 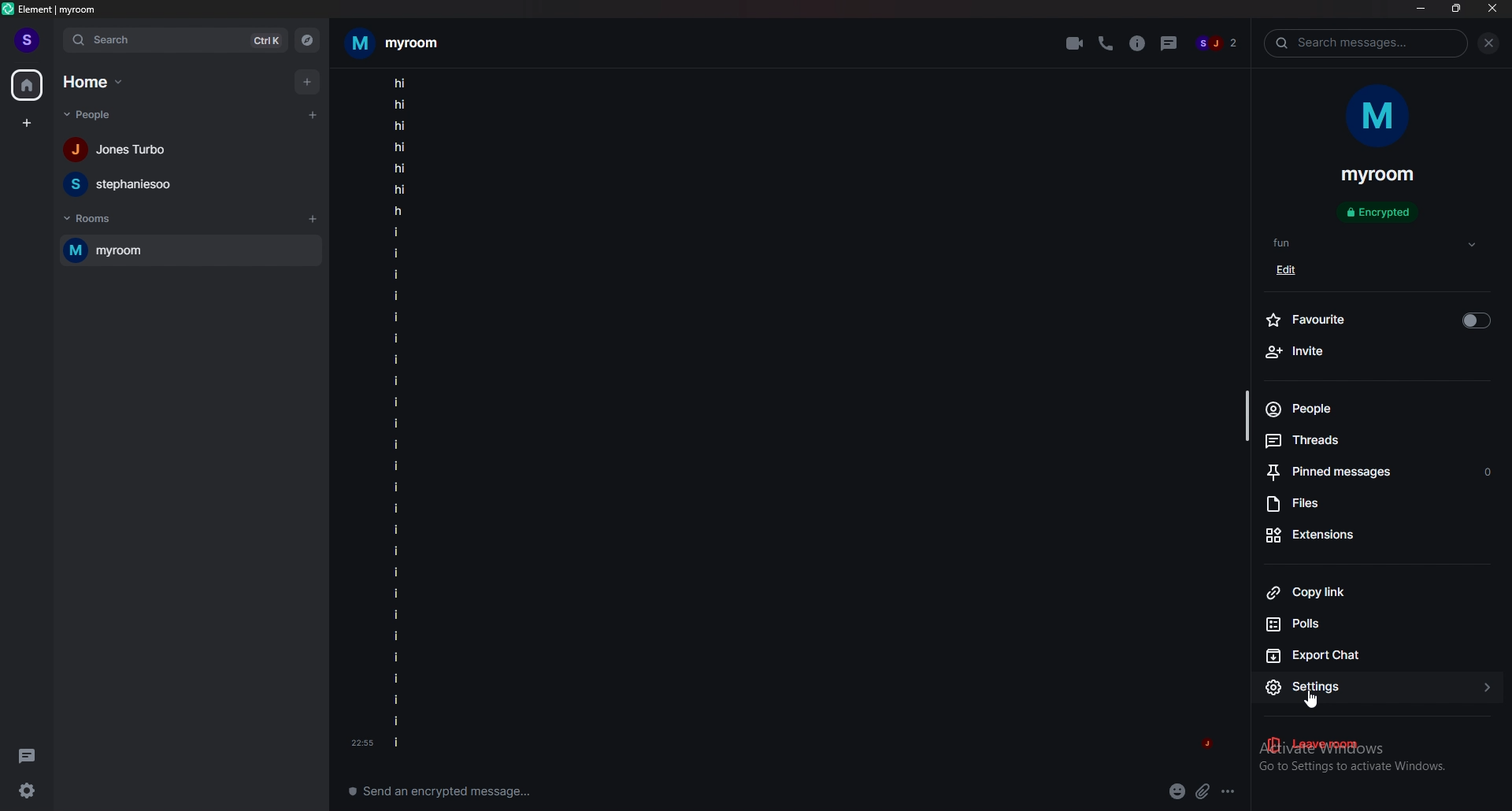 What do you see at coordinates (1377, 591) in the screenshot?
I see `copy link` at bounding box center [1377, 591].